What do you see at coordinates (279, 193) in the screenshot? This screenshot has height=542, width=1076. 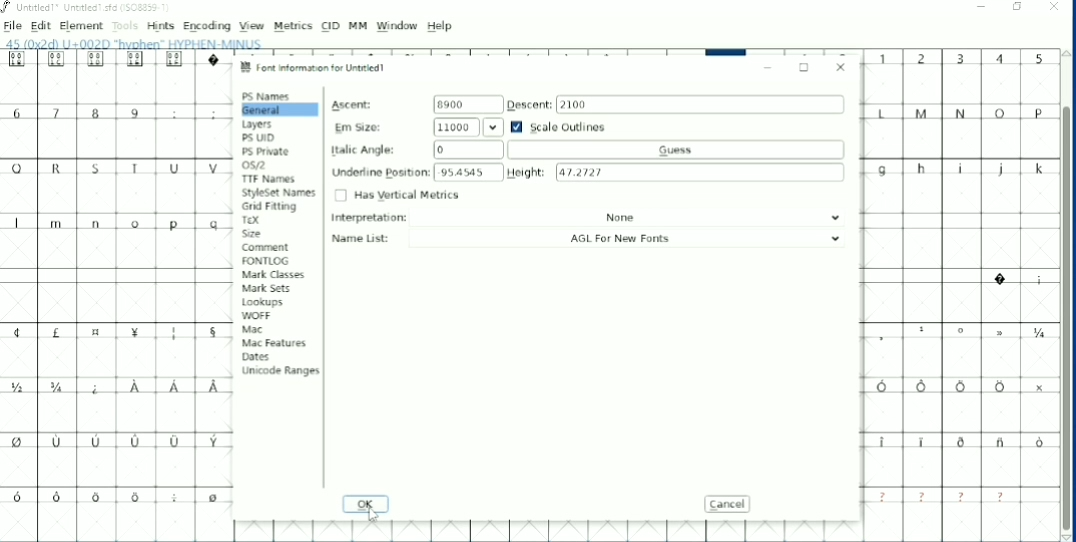 I see `StyleSet Names` at bounding box center [279, 193].